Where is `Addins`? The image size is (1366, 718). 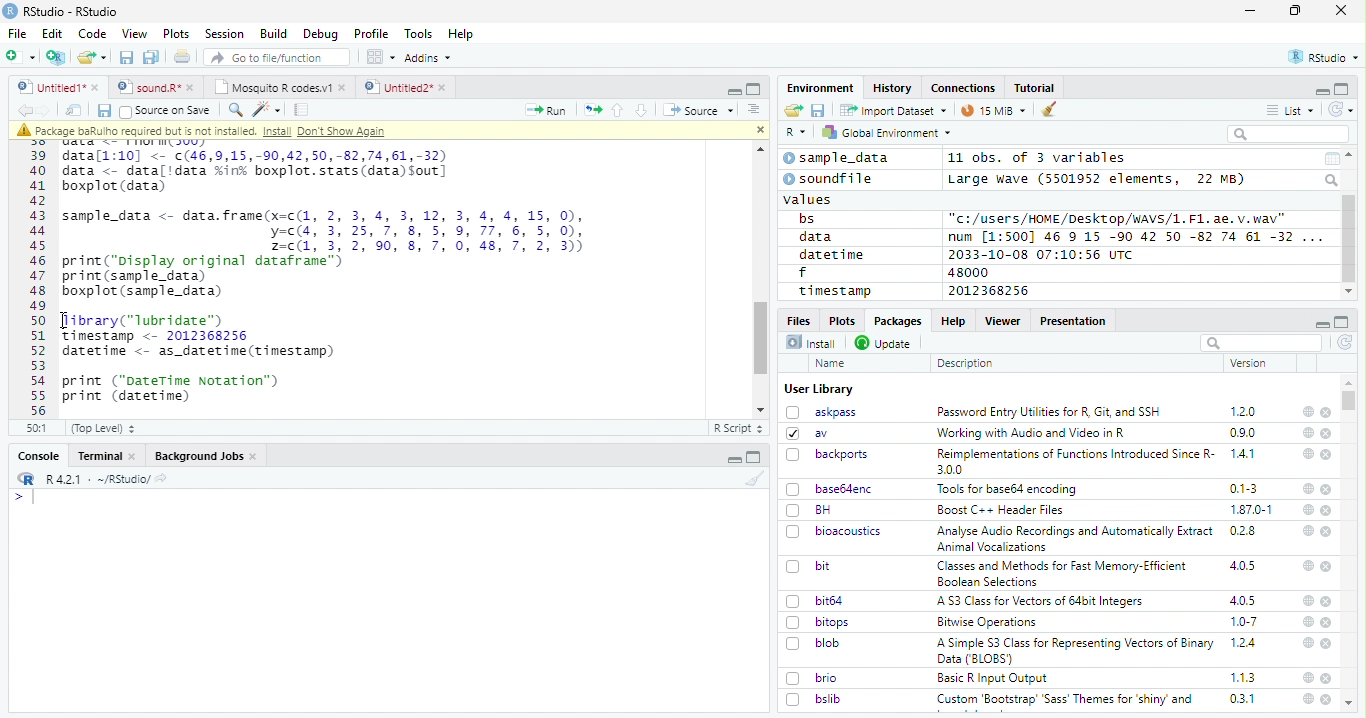
Addins is located at coordinates (428, 58).